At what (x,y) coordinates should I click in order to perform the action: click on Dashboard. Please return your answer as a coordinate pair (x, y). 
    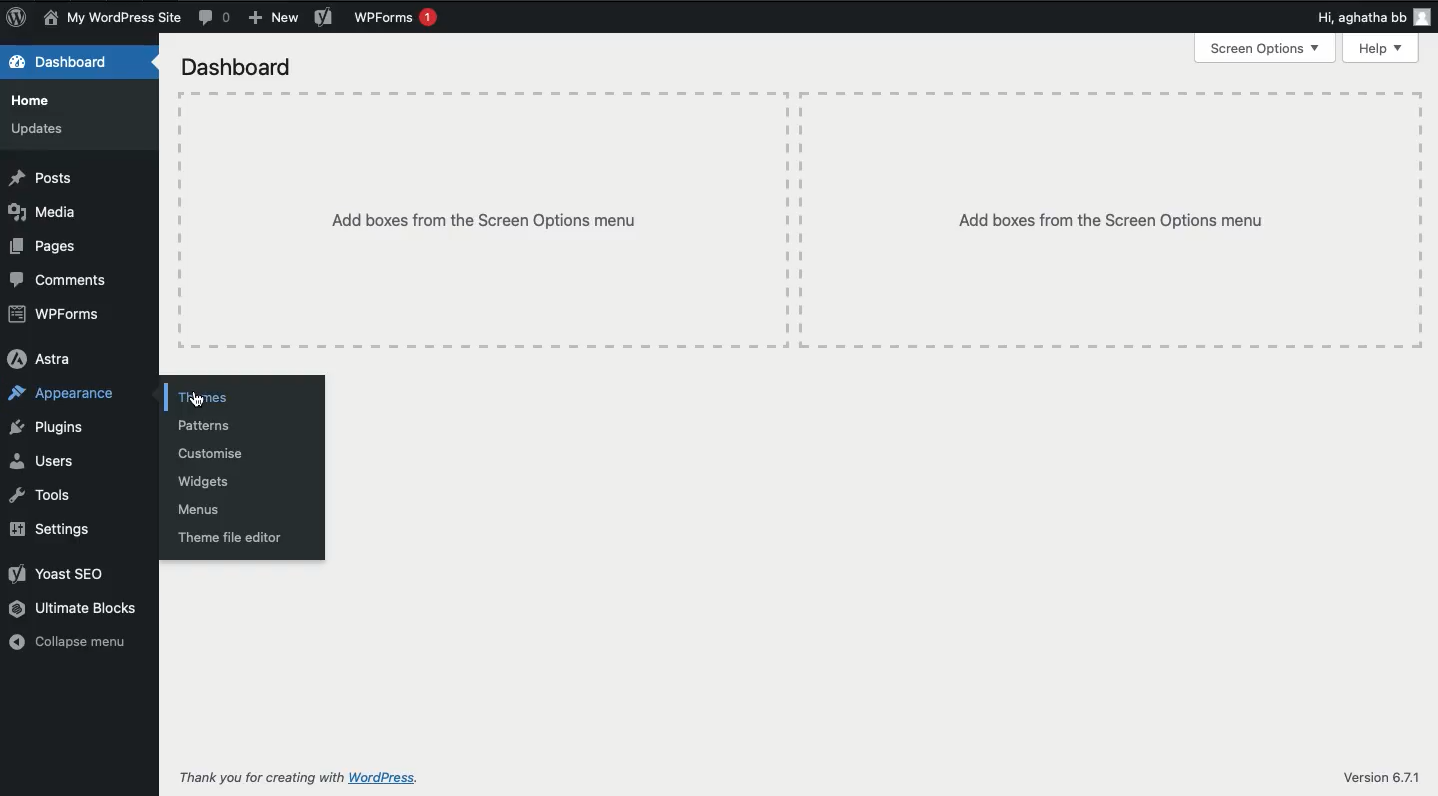
    Looking at the image, I should click on (240, 67).